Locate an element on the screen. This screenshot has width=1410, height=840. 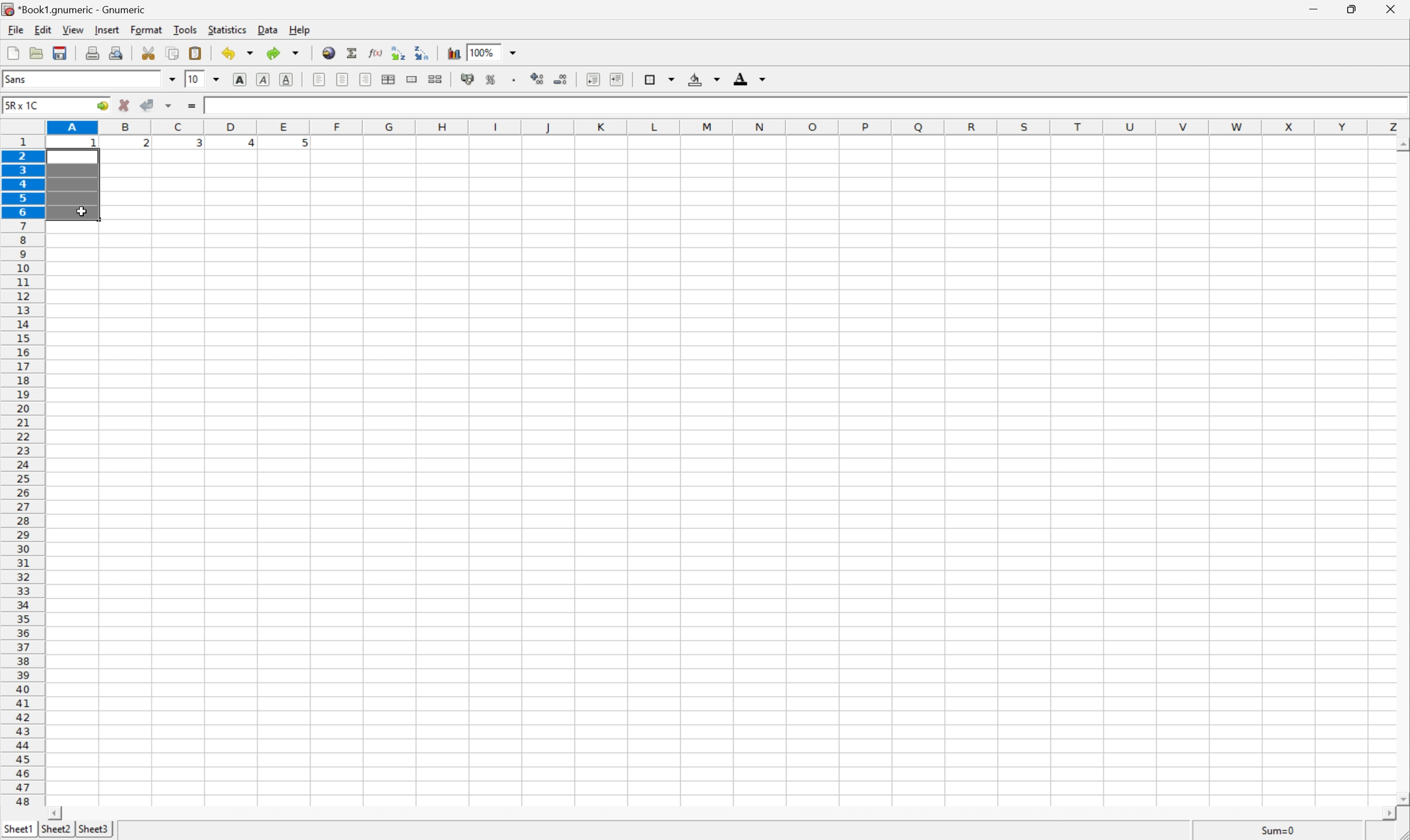
sum=0 is located at coordinates (1269, 830).